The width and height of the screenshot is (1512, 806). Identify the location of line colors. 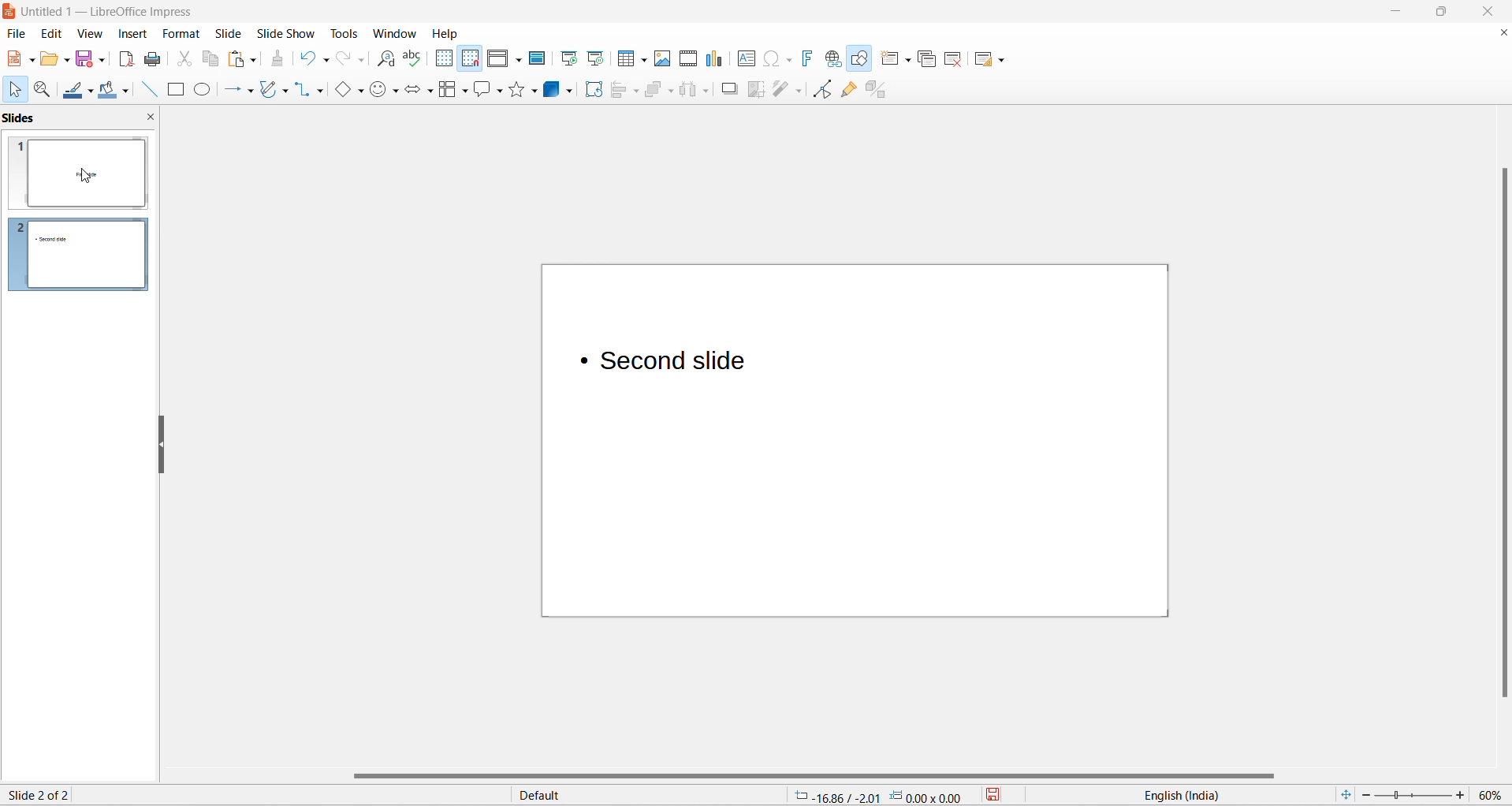
(68, 88).